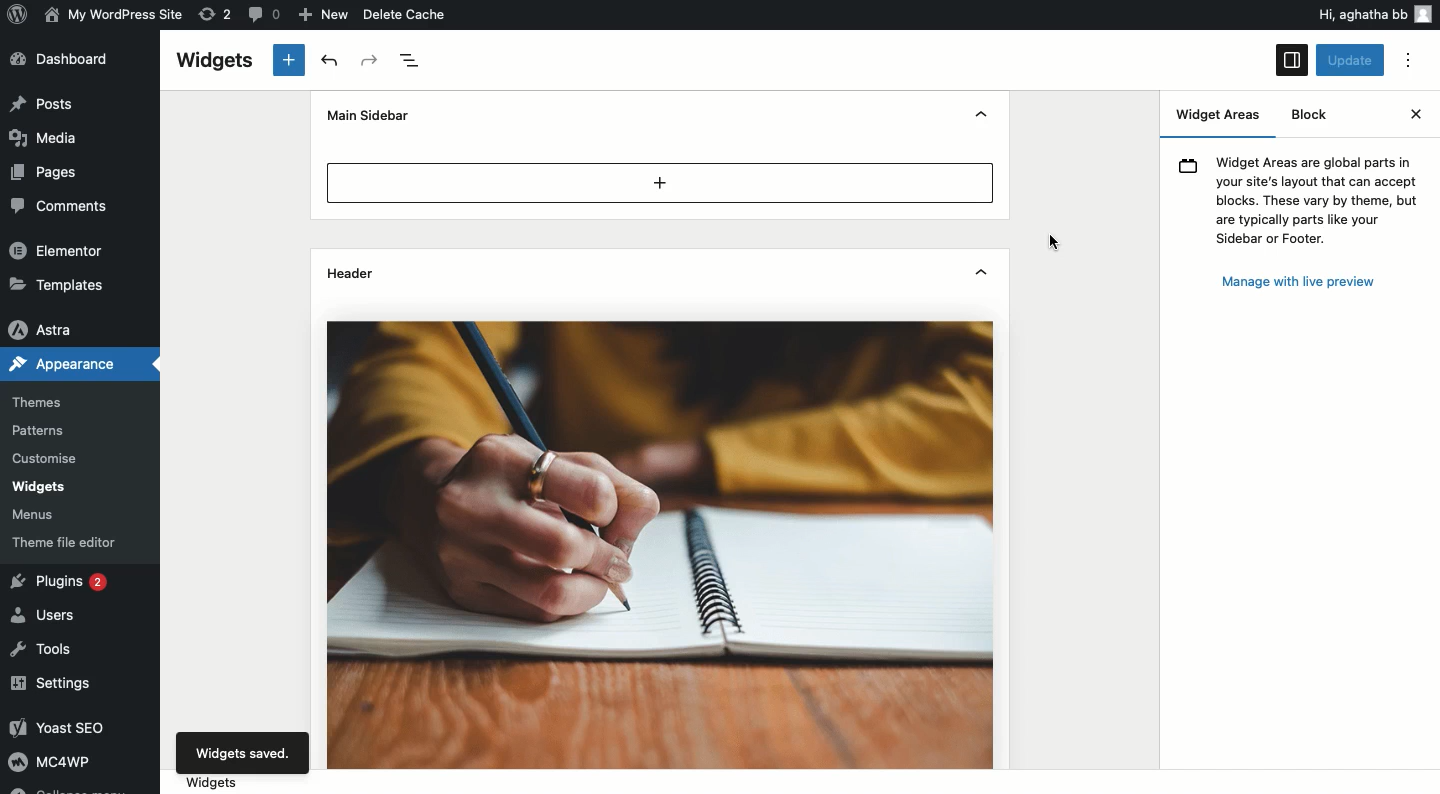 This screenshot has height=794, width=1440. Describe the element at coordinates (261, 13) in the screenshot. I see `Comment` at that location.